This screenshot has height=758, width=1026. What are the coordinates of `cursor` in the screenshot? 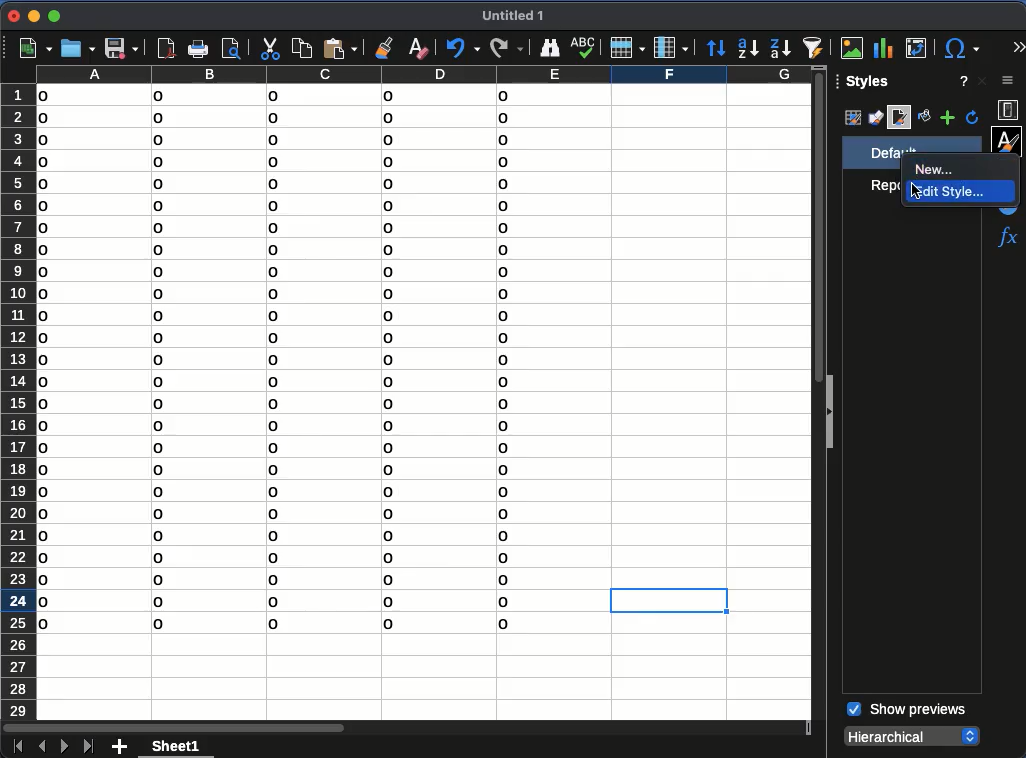 It's located at (915, 191).